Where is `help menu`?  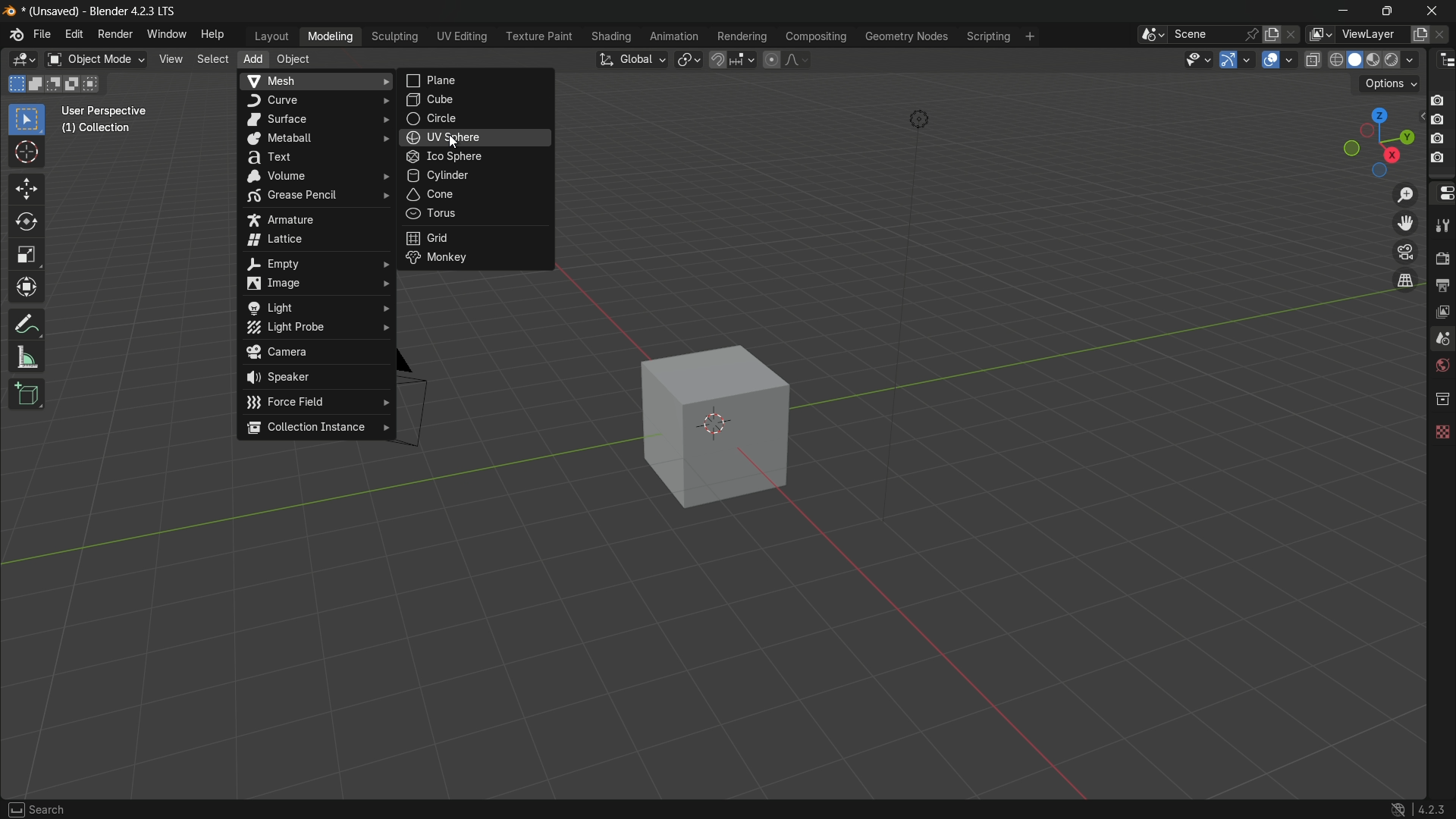
help menu is located at coordinates (212, 33).